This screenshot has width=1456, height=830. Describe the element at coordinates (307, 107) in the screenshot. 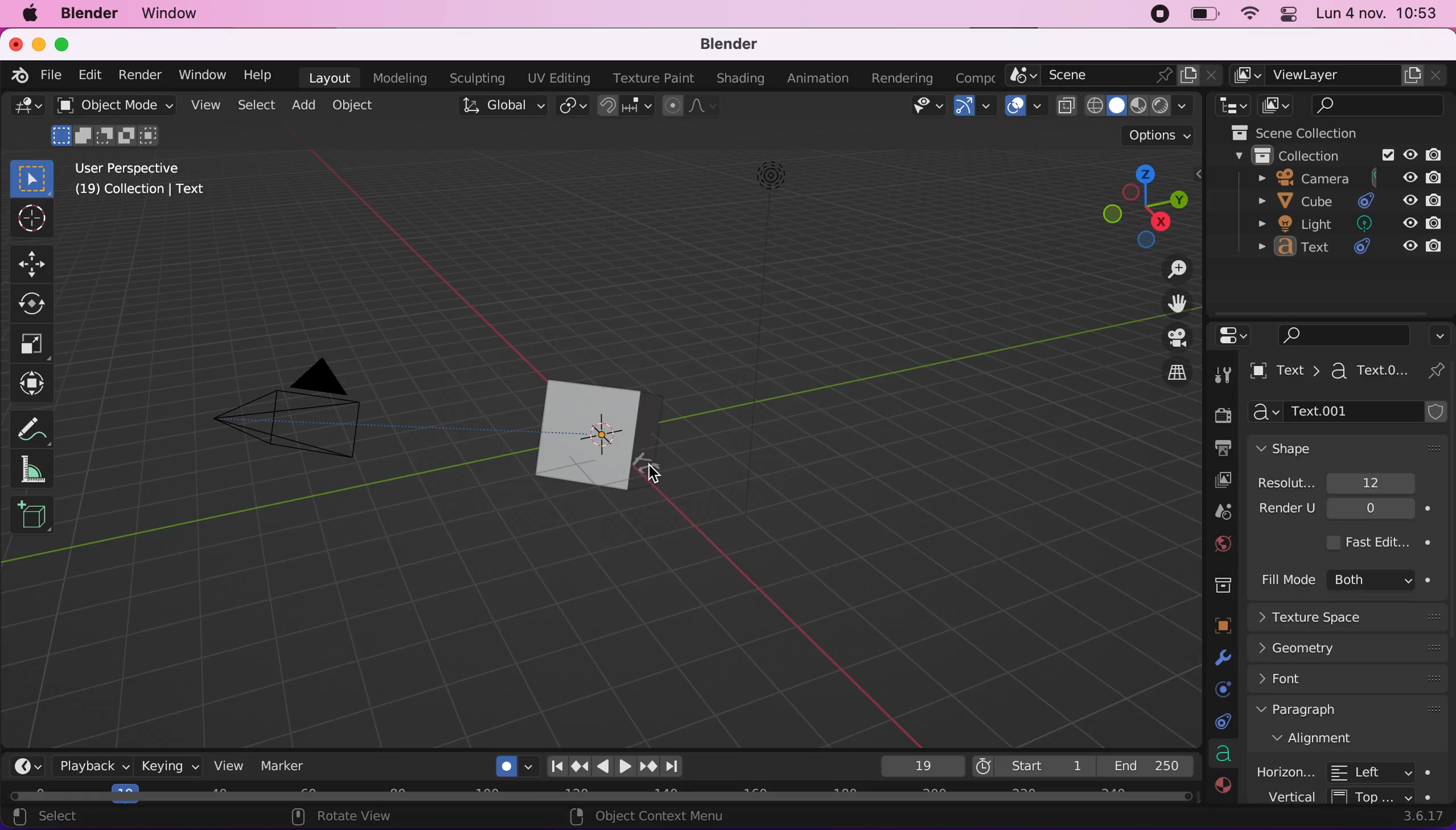

I see `add` at that location.